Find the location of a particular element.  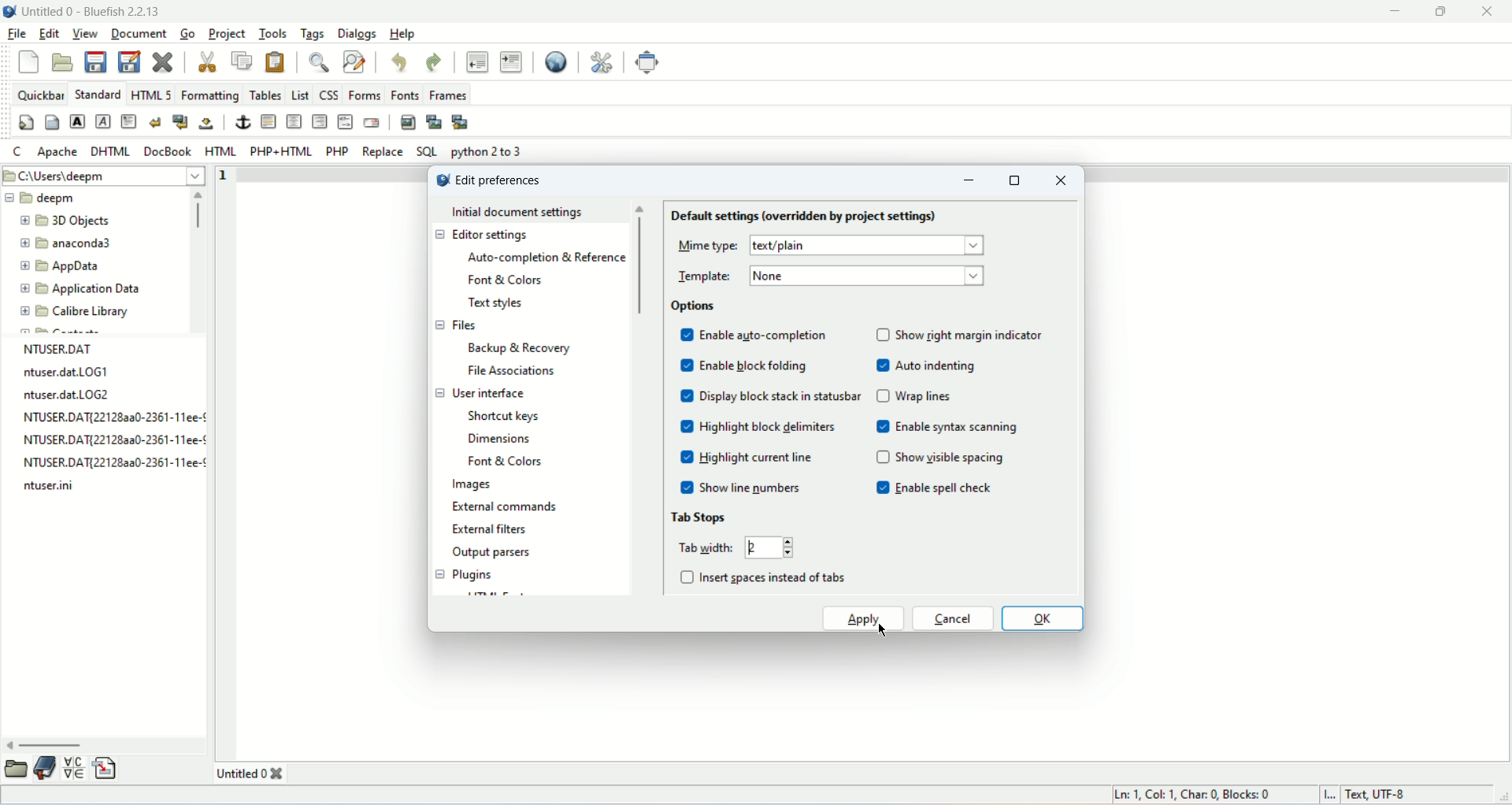

bookmark is located at coordinates (44, 770).